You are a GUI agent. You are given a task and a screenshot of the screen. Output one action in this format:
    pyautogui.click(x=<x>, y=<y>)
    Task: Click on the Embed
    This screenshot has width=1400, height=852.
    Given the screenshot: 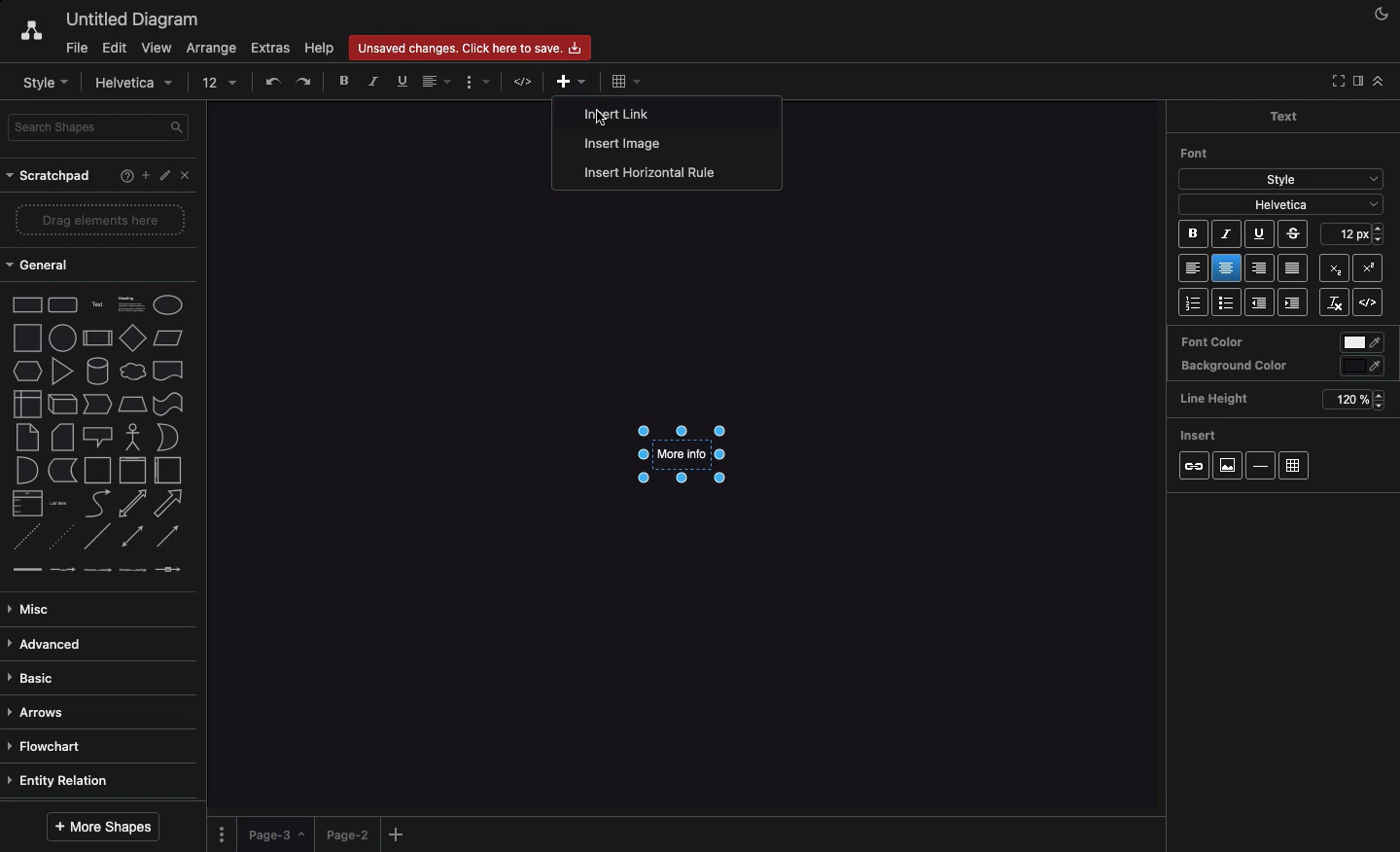 What is the action you would take?
    pyautogui.click(x=1373, y=303)
    